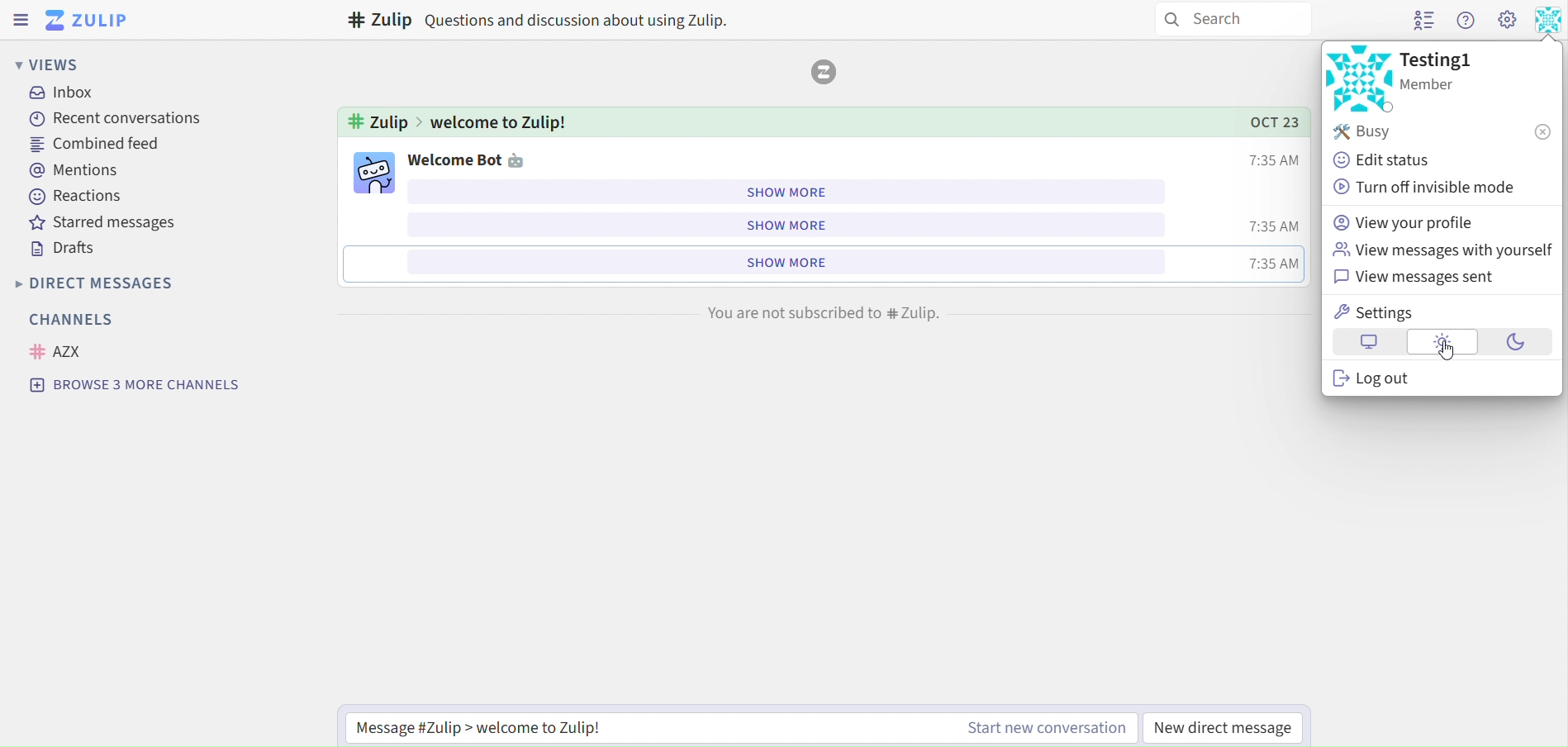 The height and width of the screenshot is (747, 1568). What do you see at coordinates (80, 172) in the screenshot?
I see `mentions` at bounding box center [80, 172].